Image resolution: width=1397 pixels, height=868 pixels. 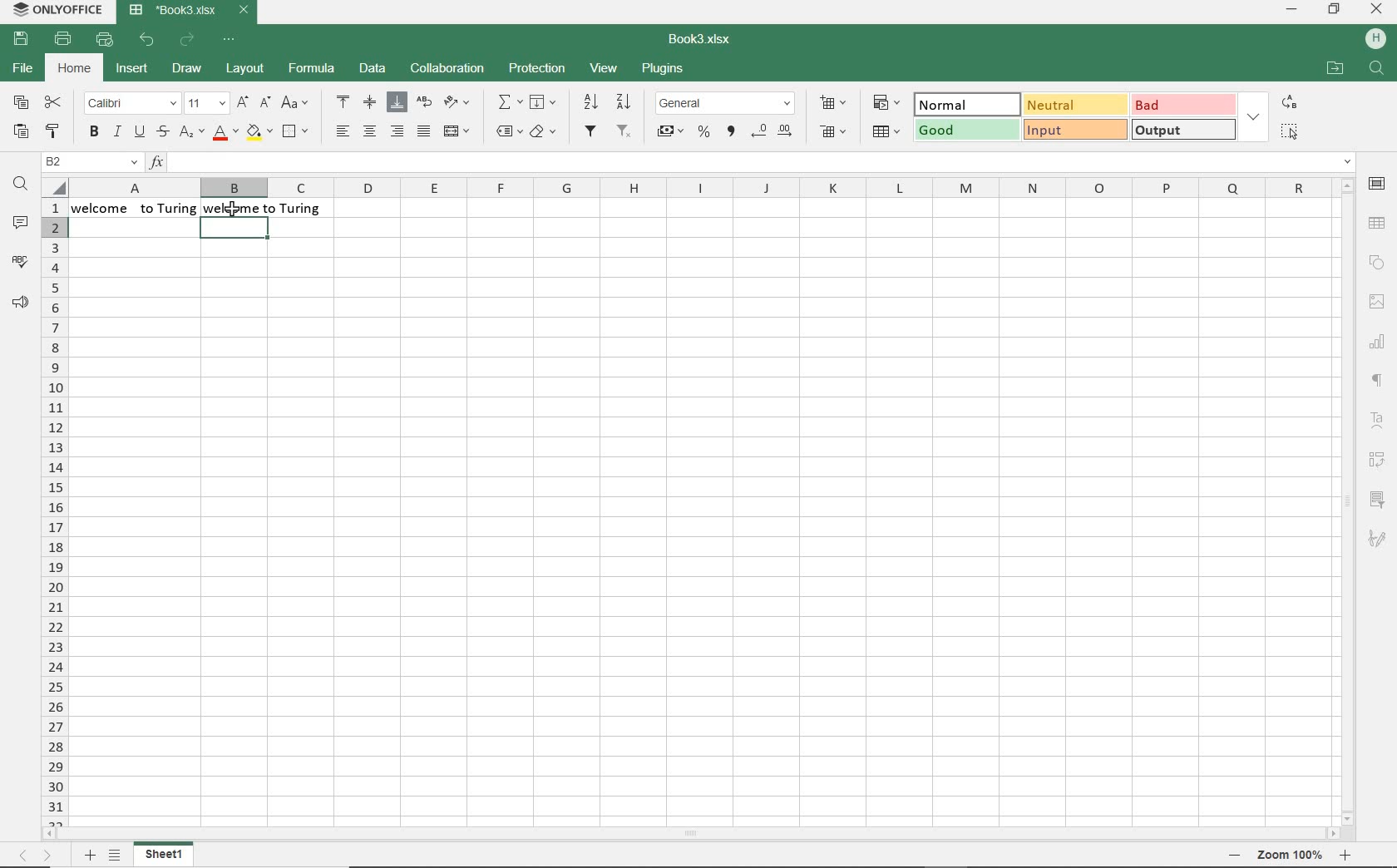 I want to click on cell settings, so click(x=1379, y=184).